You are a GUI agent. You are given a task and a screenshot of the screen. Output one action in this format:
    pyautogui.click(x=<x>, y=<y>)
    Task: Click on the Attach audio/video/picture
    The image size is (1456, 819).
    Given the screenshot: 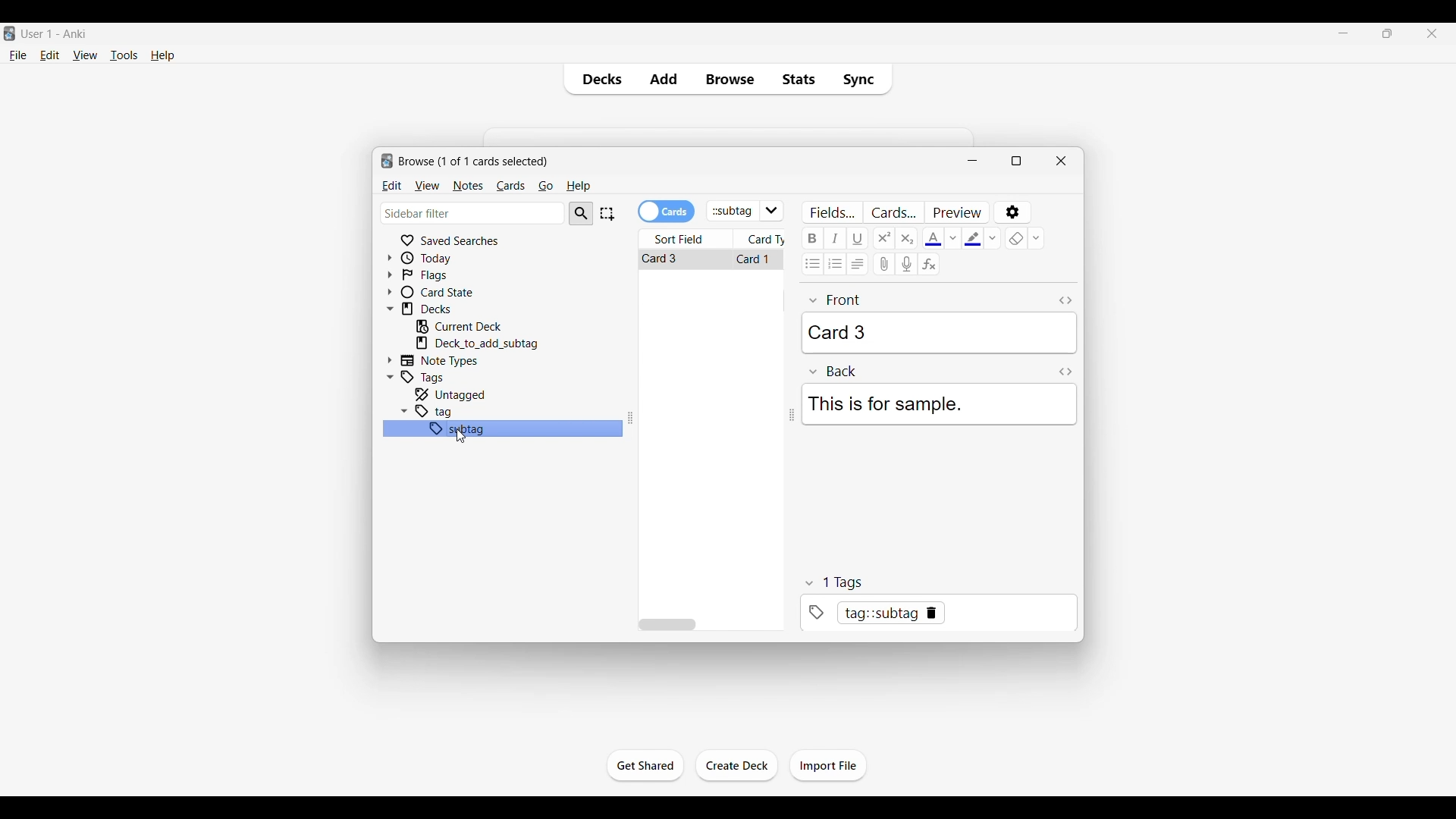 What is the action you would take?
    pyautogui.click(x=883, y=264)
    